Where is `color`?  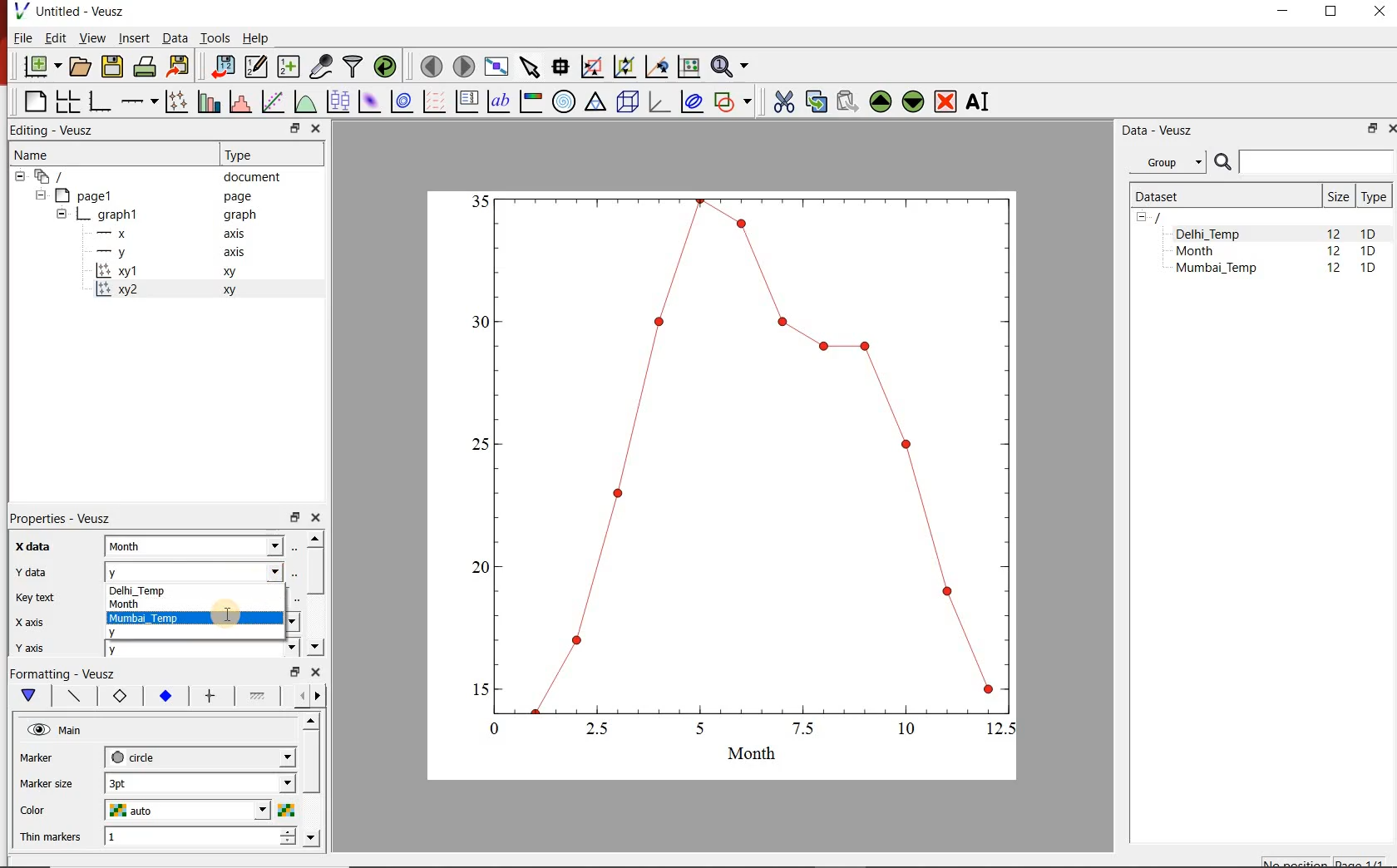
color is located at coordinates (47, 811).